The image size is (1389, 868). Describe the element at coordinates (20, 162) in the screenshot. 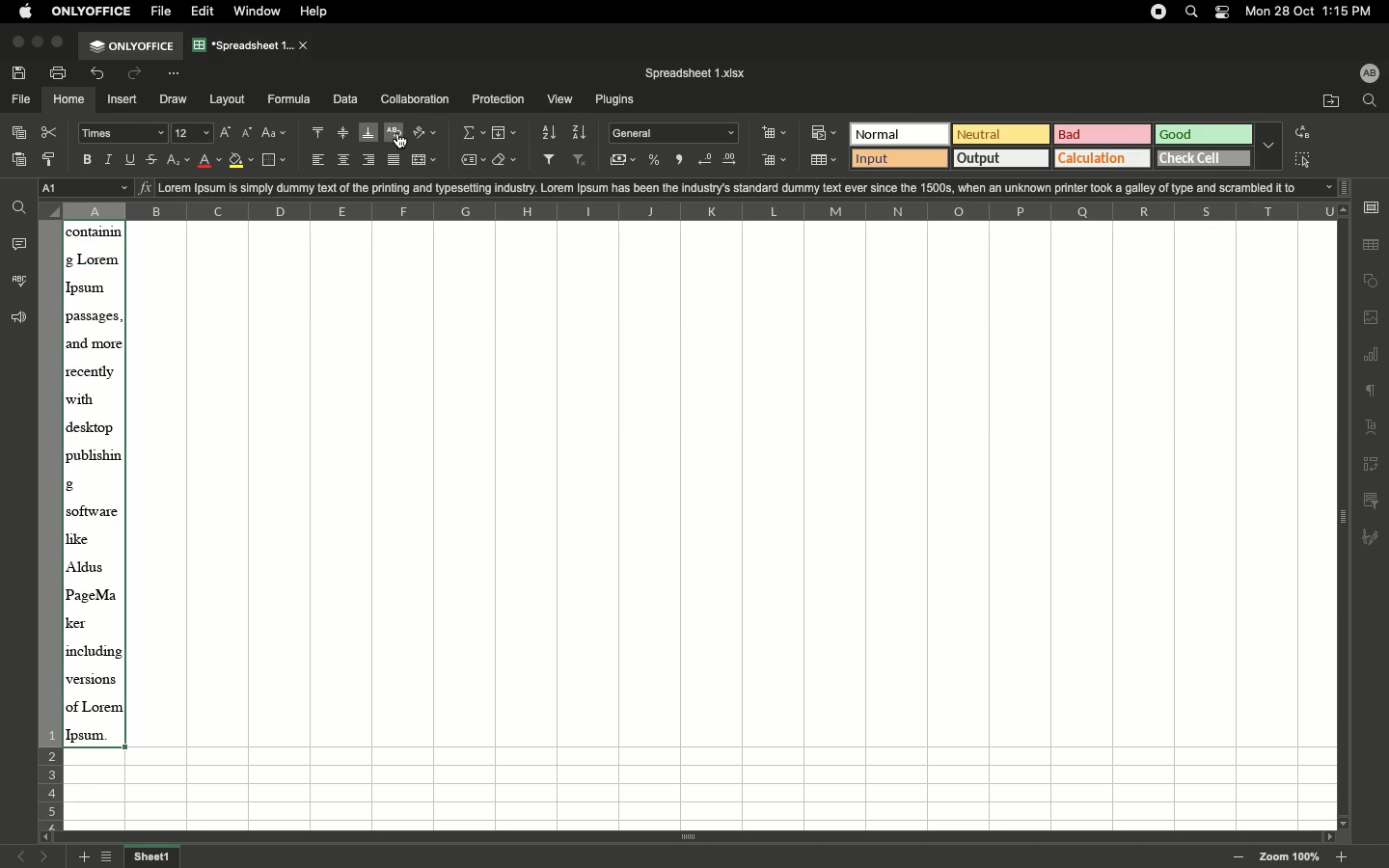

I see `Paste` at that location.